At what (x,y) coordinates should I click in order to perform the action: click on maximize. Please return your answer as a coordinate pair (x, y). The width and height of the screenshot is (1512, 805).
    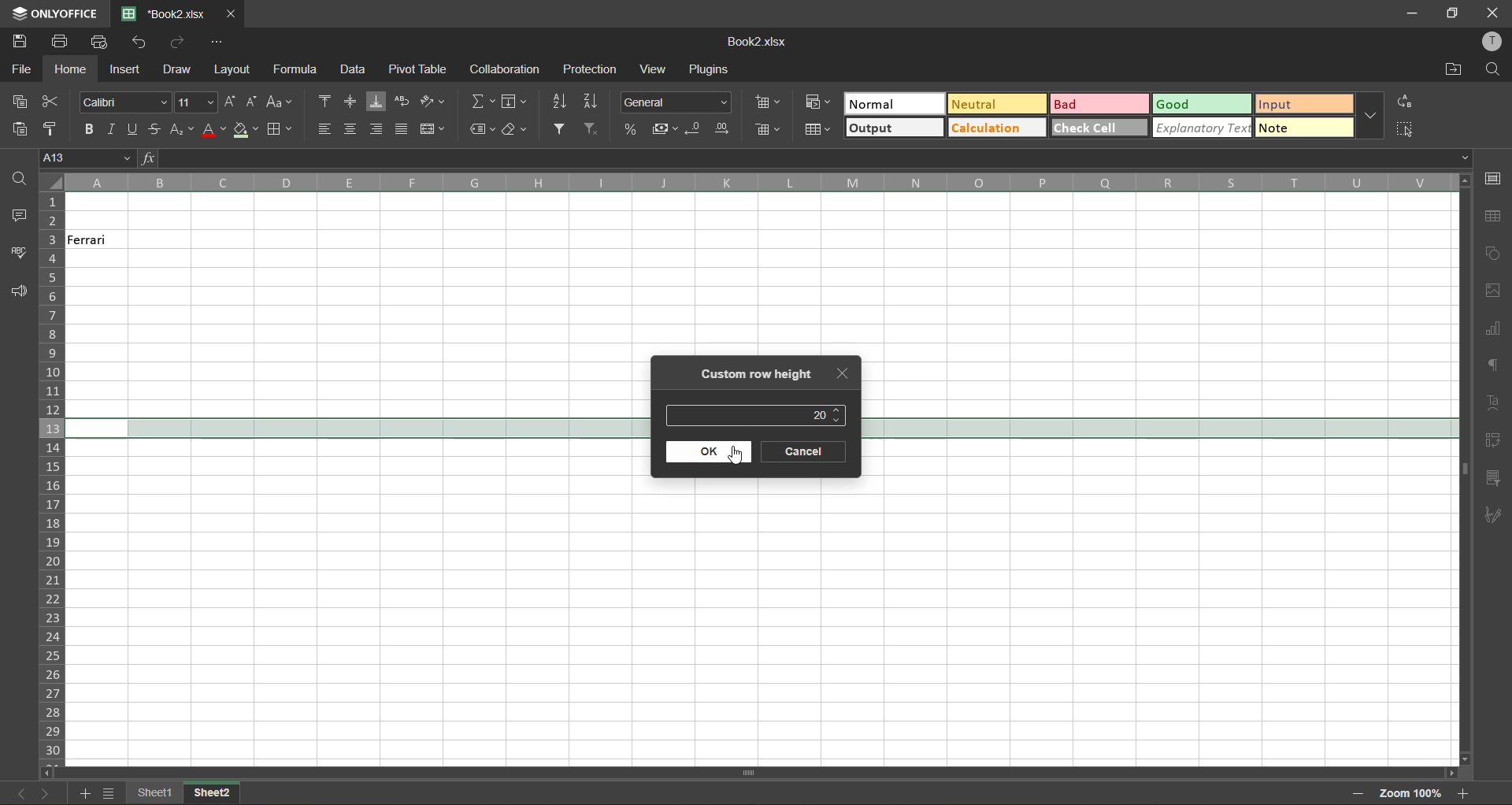
    Looking at the image, I should click on (1455, 13).